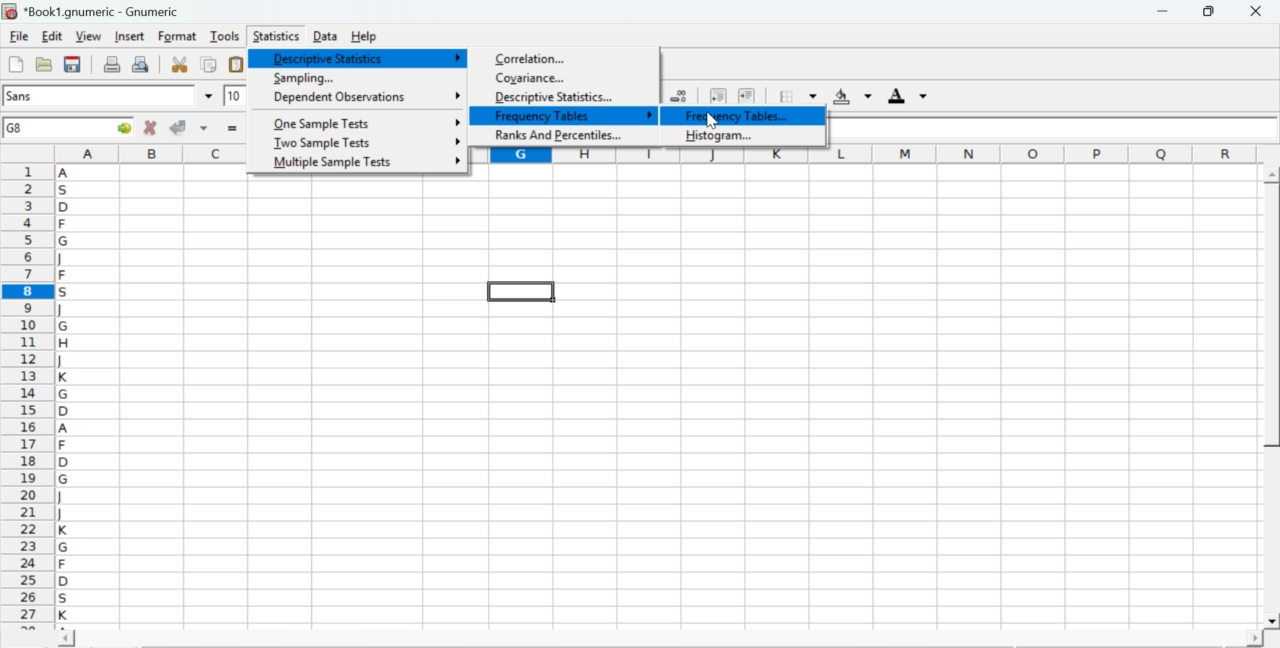 Image resolution: width=1280 pixels, height=648 pixels. I want to click on go to, so click(122, 127).